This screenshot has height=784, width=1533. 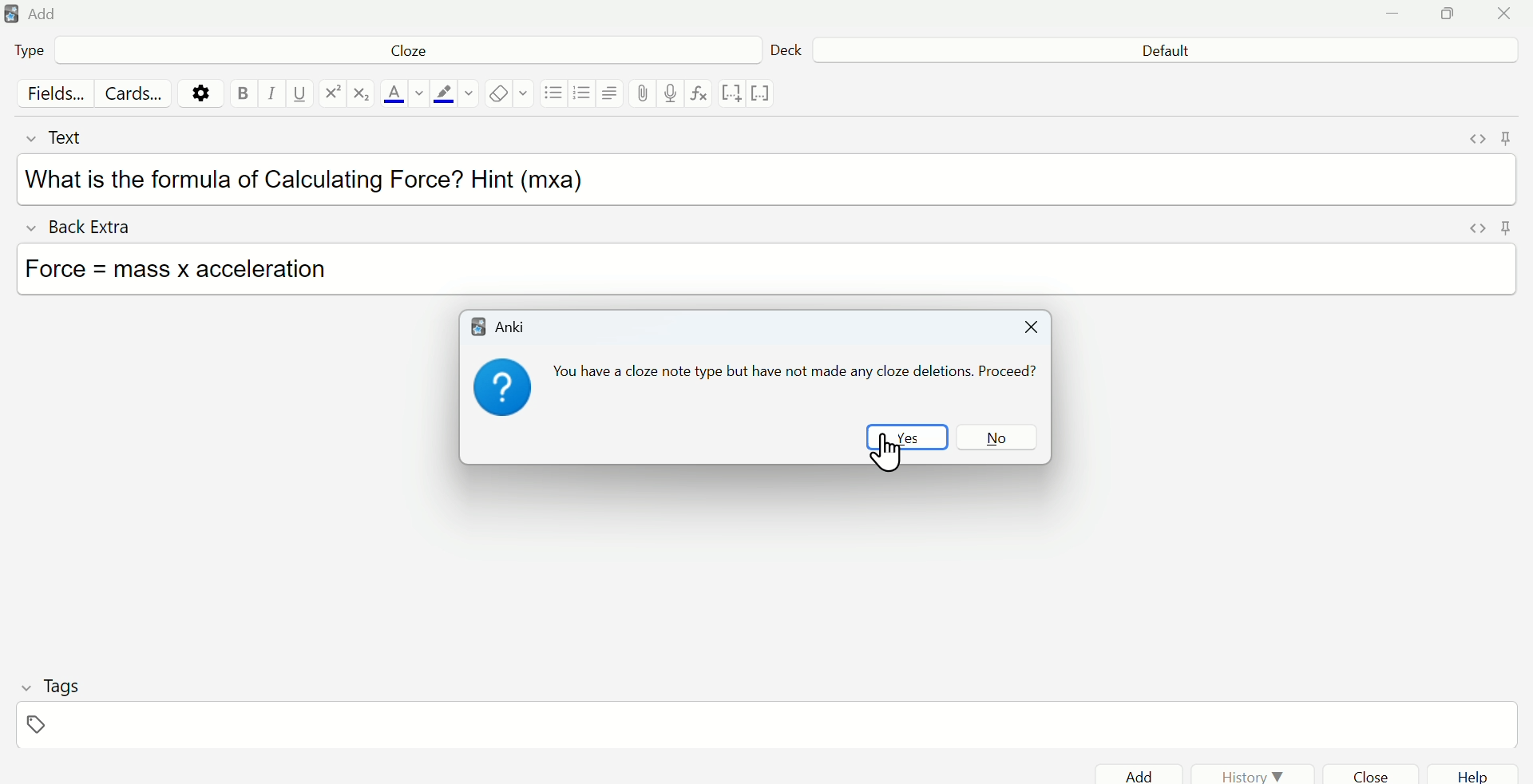 I want to click on Text, so click(x=73, y=137).